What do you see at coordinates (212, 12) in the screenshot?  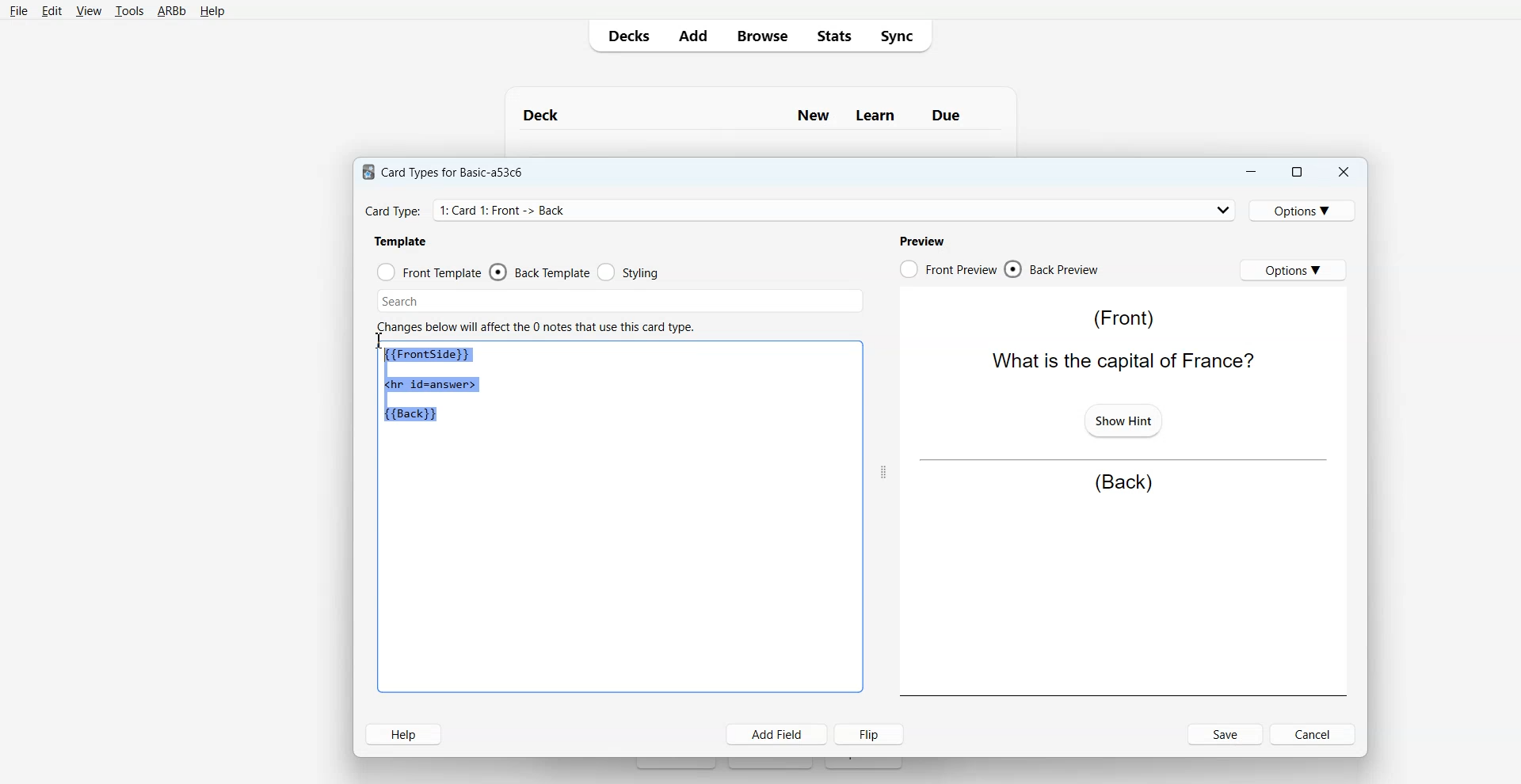 I see `Help` at bounding box center [212, 12].